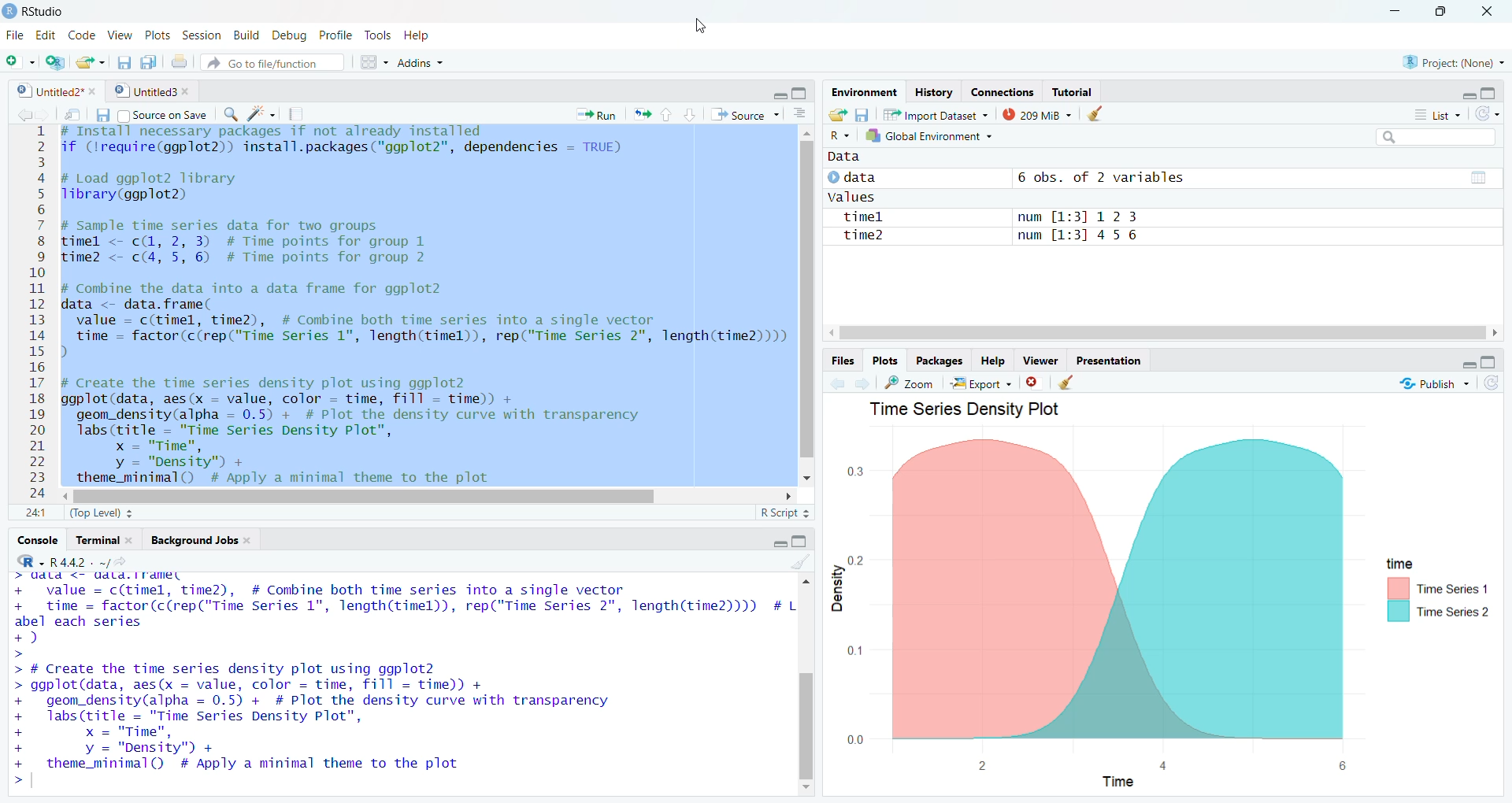 The height and width of the screenshot is (803, 1512). Describe the element at coordinates (34, 315) in the screenshot. I see `Rows` at that location.